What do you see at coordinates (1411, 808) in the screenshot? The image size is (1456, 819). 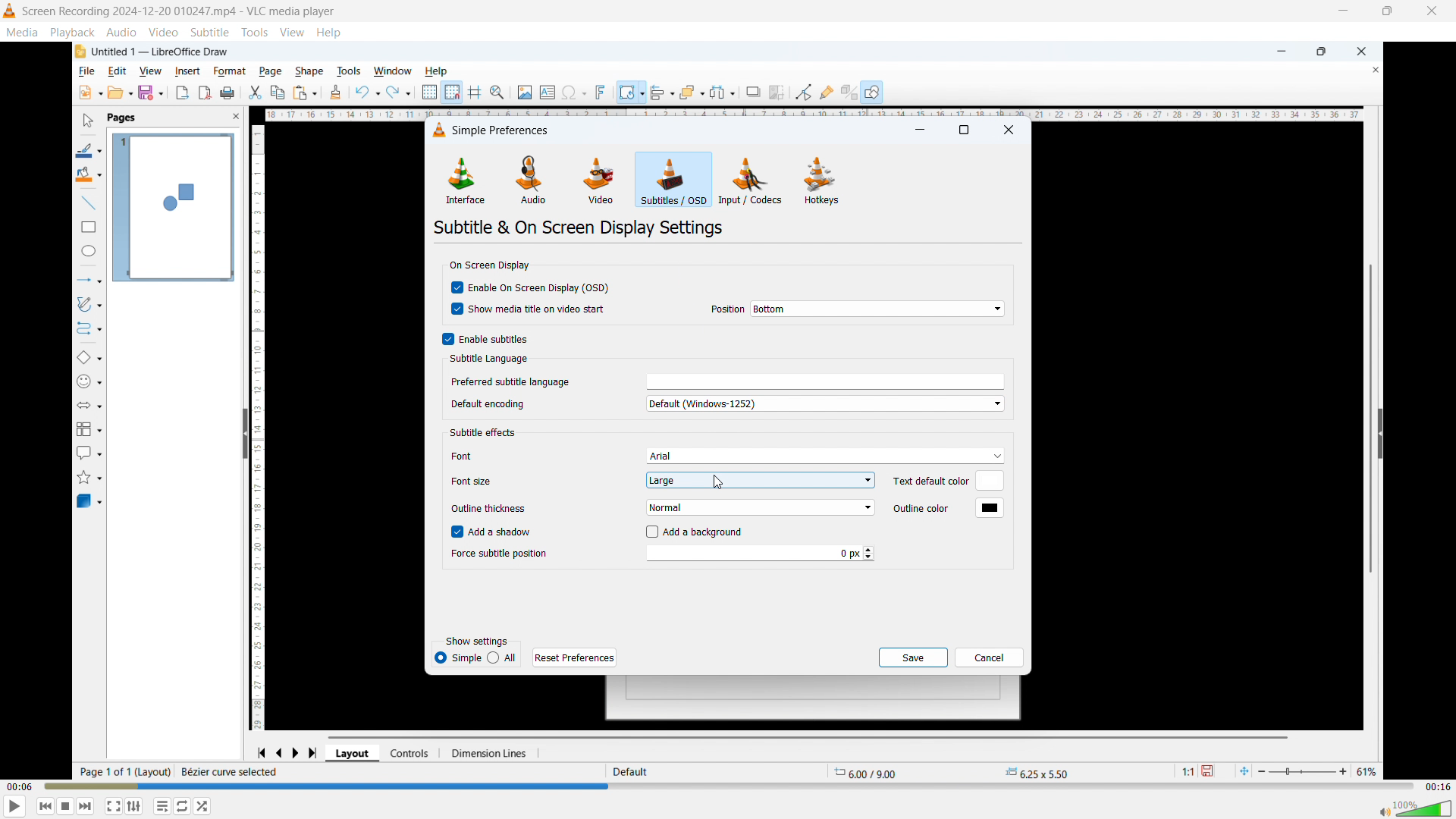 I see `Sound bar ` at bounding box center [1411, 808].